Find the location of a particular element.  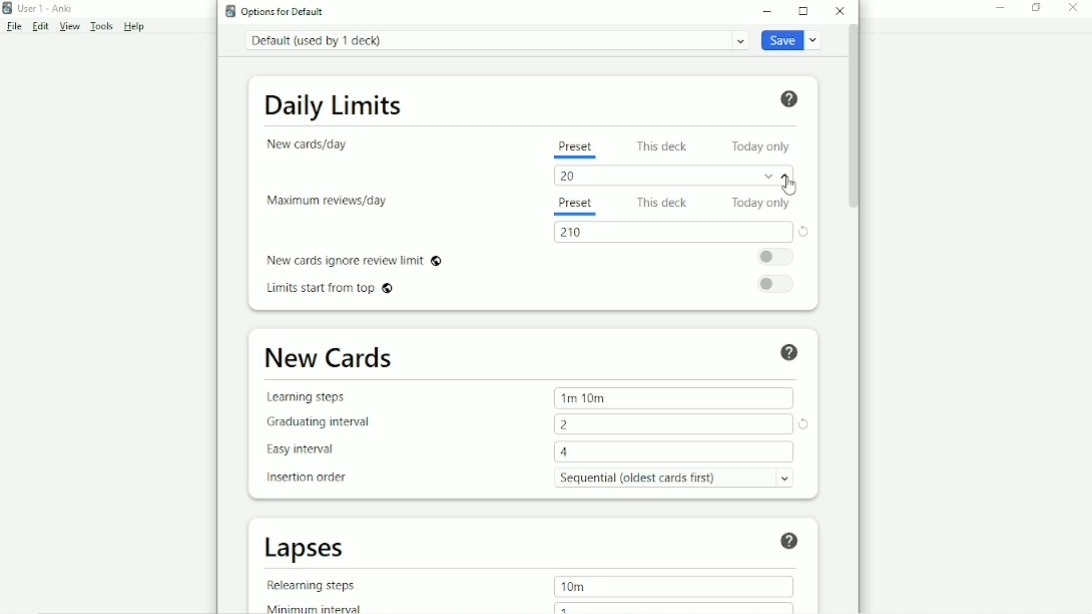

Graduating interval is located at coordinates (320, 422).